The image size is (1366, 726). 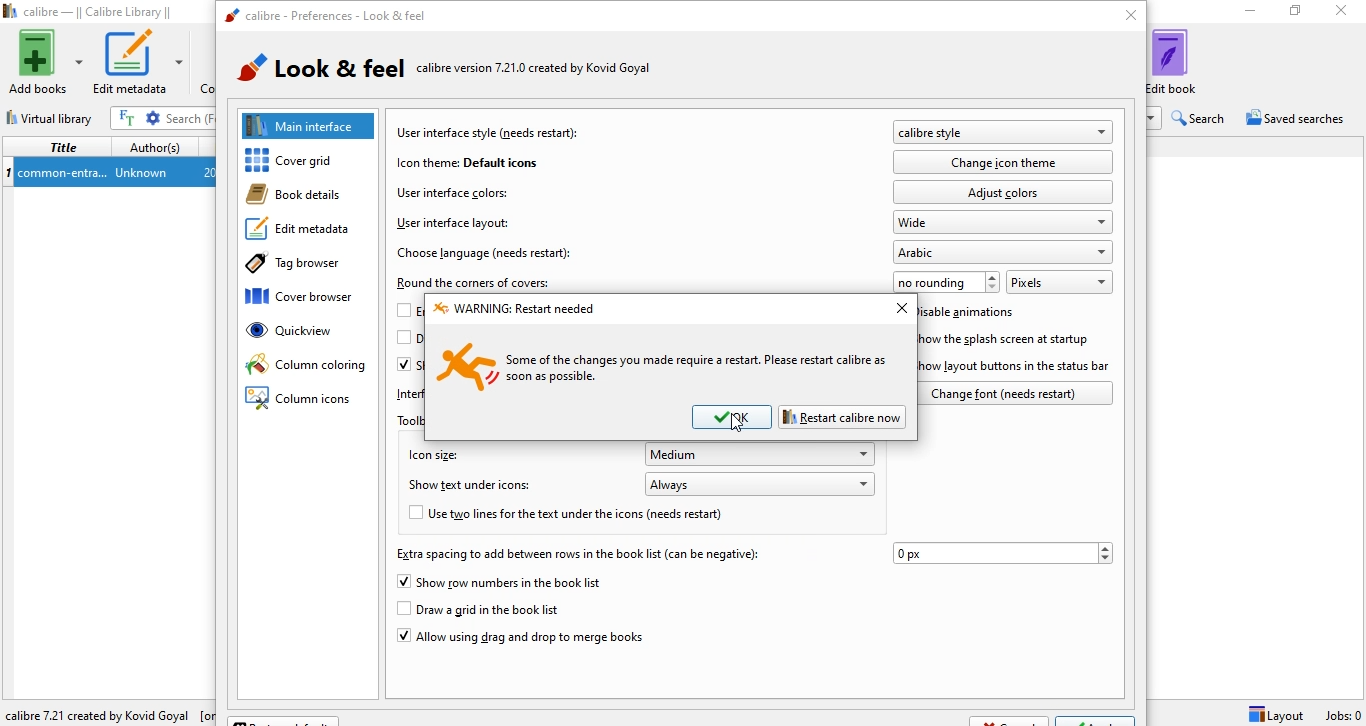 What do you see at coordinates (108, 173) in the screenshot?
I see `one book entry` at bounding box center [108, 173].